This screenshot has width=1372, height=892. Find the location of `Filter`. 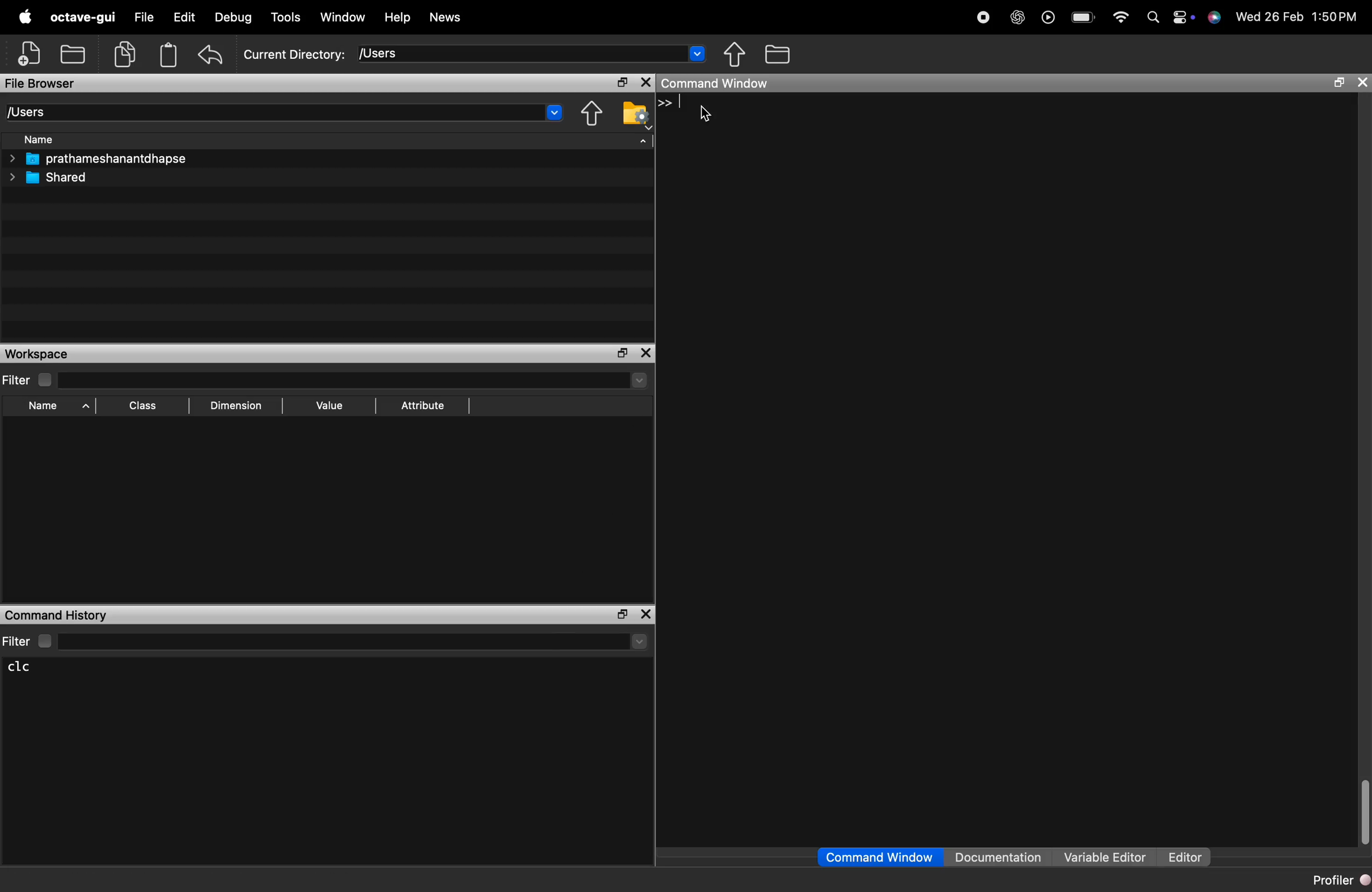

Filter is located at coordinates (325, 641).